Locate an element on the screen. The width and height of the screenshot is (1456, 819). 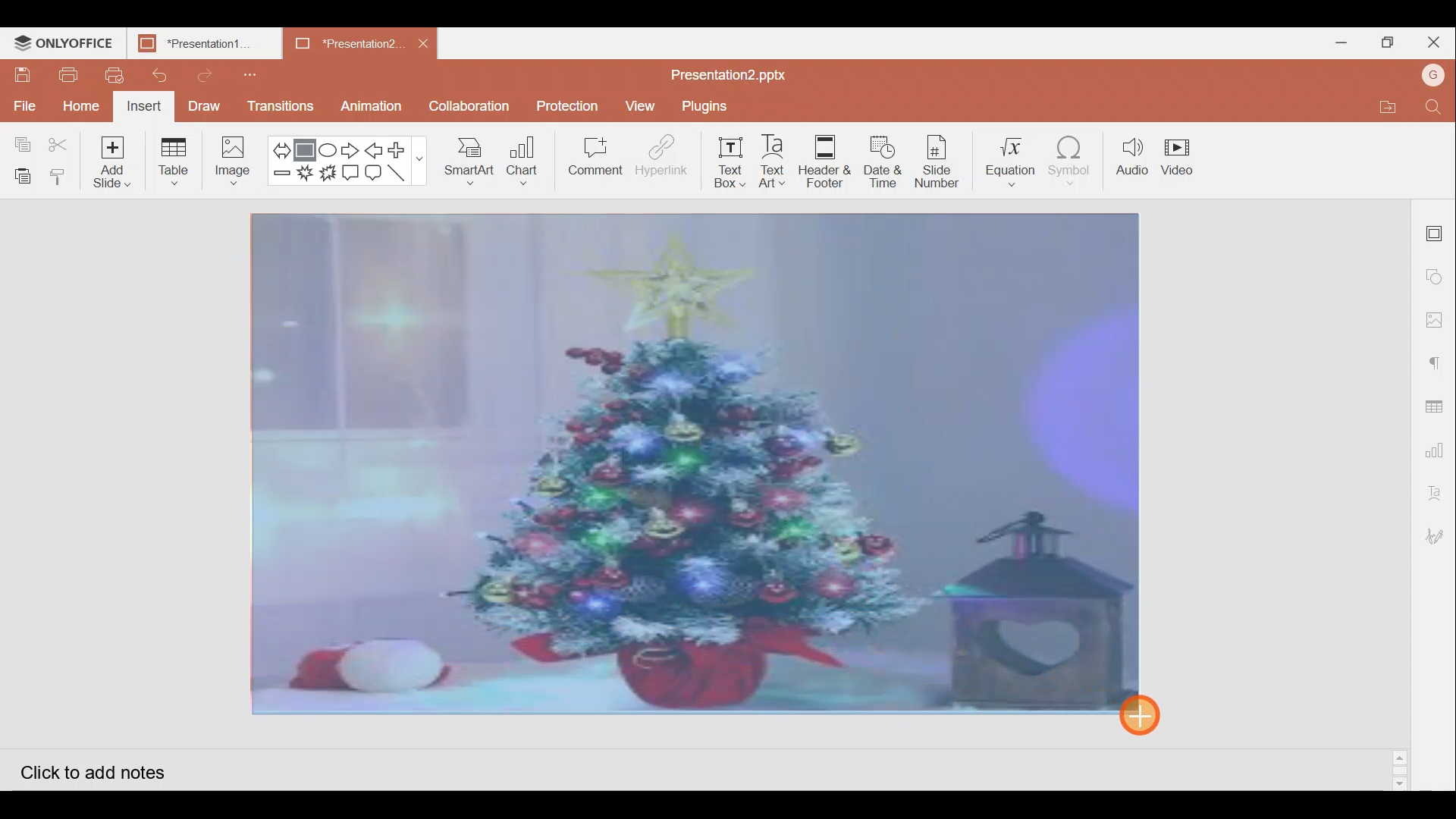
File is located at coordinates (23, 102).